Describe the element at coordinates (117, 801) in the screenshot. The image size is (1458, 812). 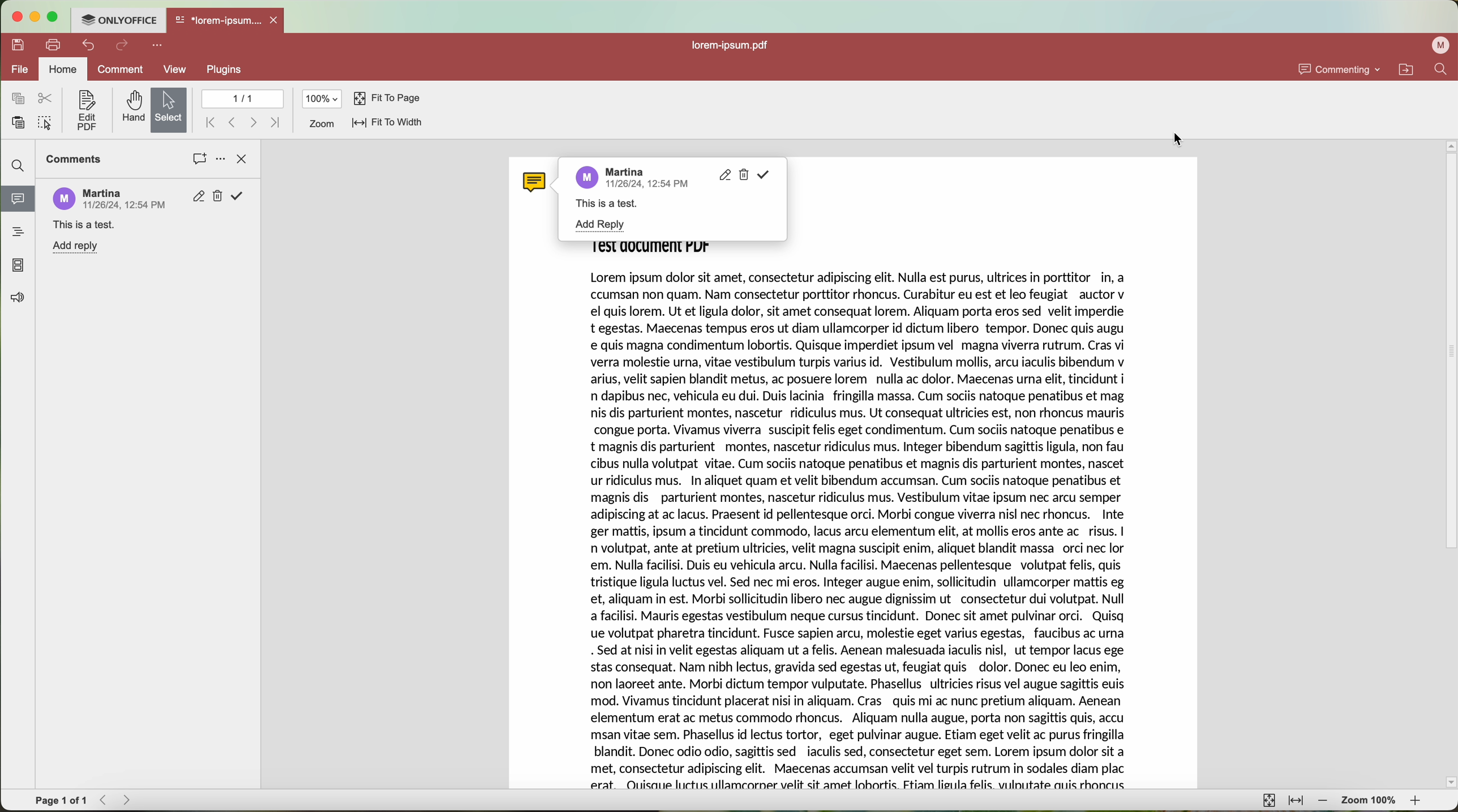
I see `navigate arrows` at that location.